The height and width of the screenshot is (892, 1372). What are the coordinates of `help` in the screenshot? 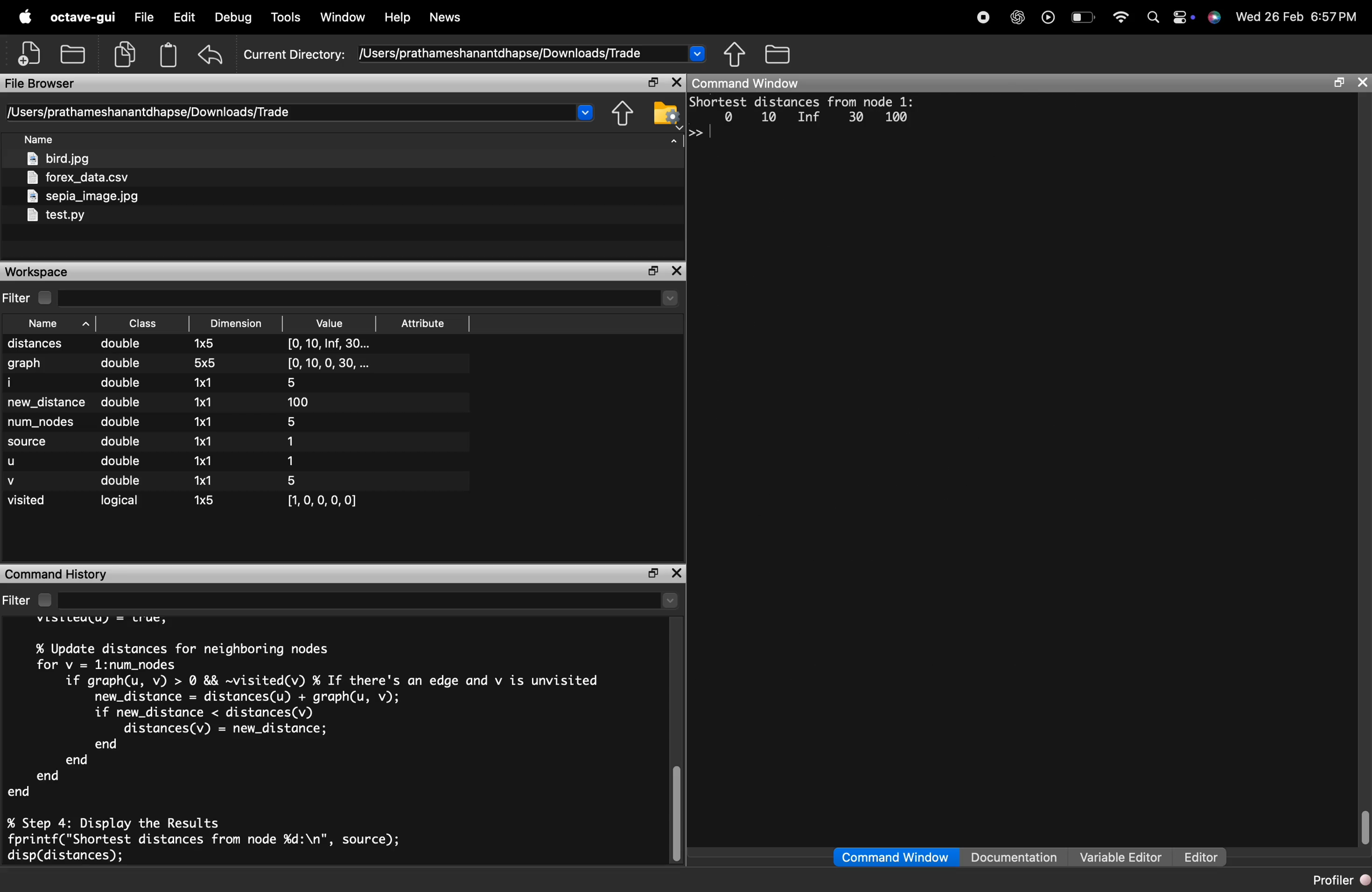 It's located at (399, 18).